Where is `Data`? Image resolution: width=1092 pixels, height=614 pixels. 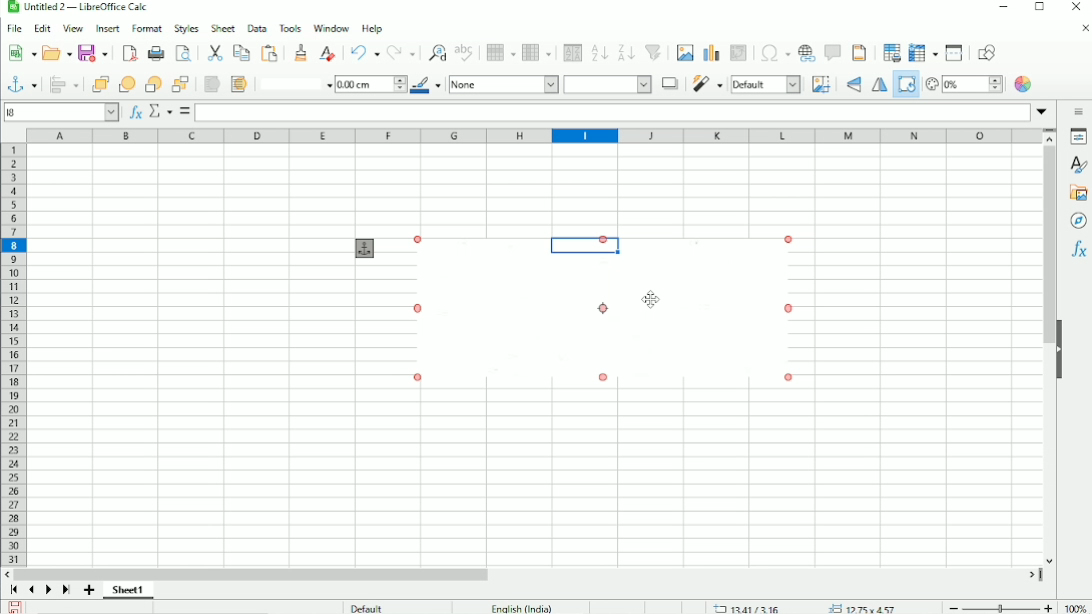
Data is located at coordinates (256, 28).